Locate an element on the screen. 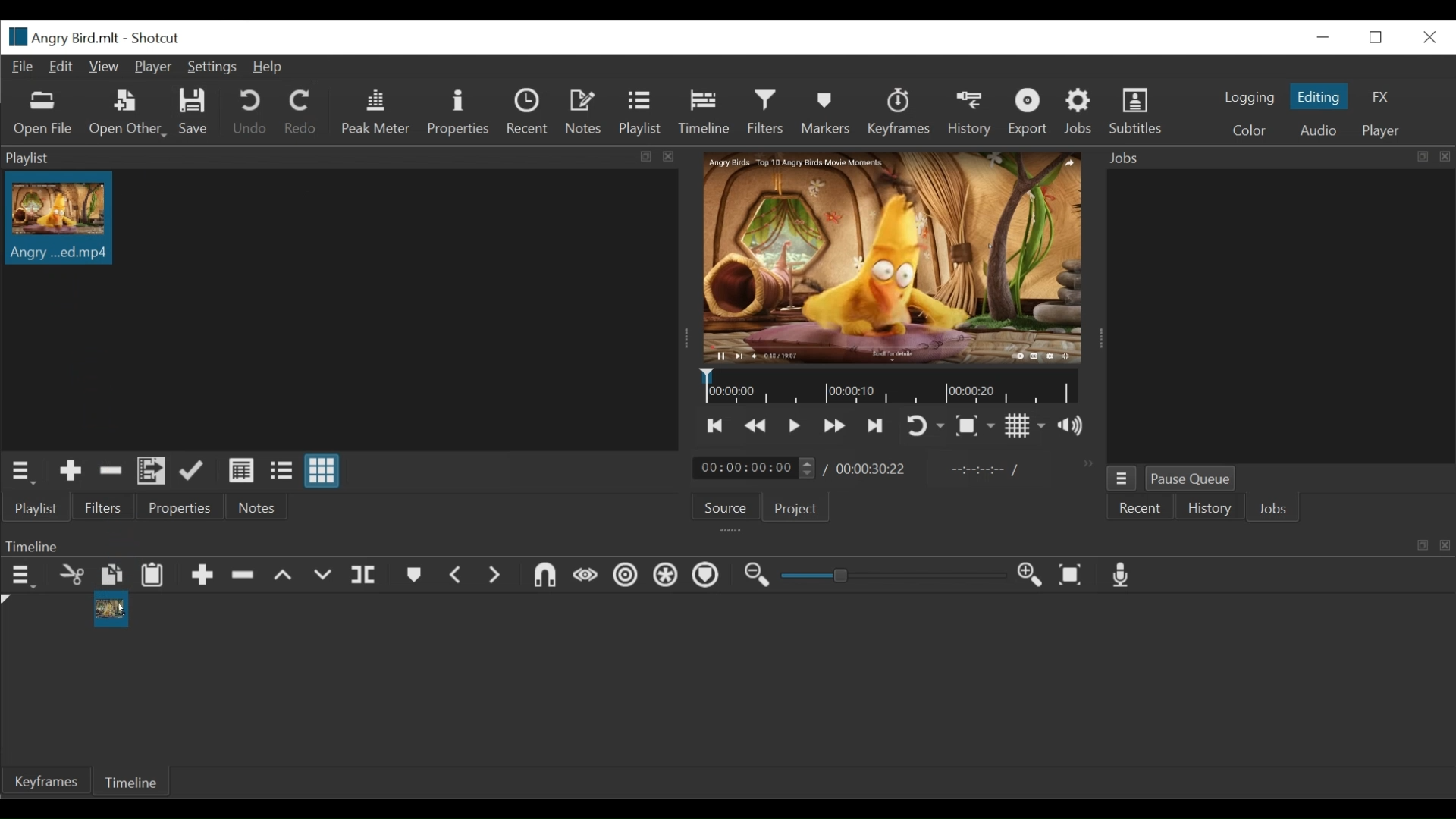 This screenshot has width=1456, height=819. Pause Queue is located at coordinates (1194, 478).